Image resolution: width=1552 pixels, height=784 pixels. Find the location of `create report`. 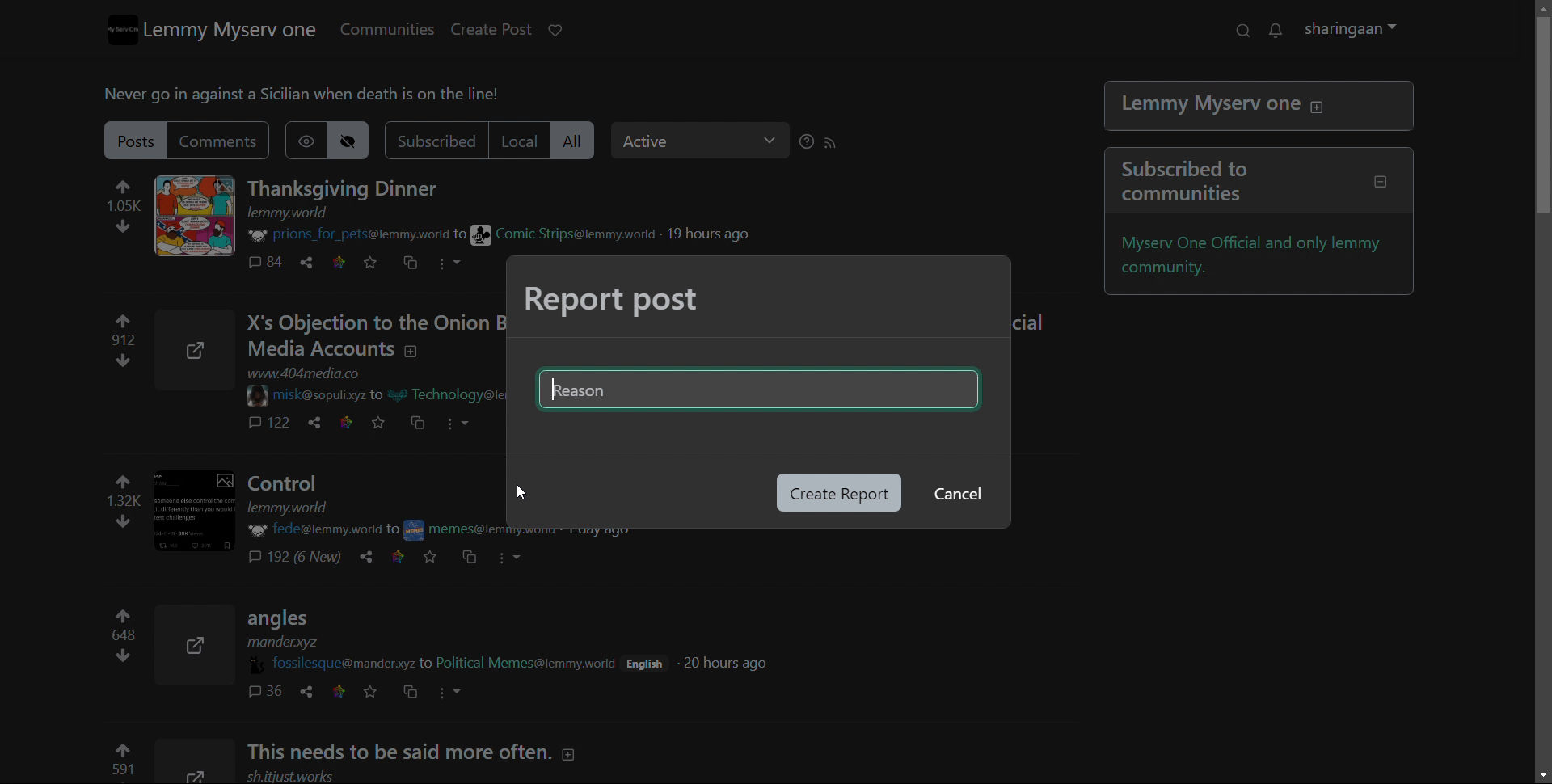

create report is located at coordinates (838, 493).